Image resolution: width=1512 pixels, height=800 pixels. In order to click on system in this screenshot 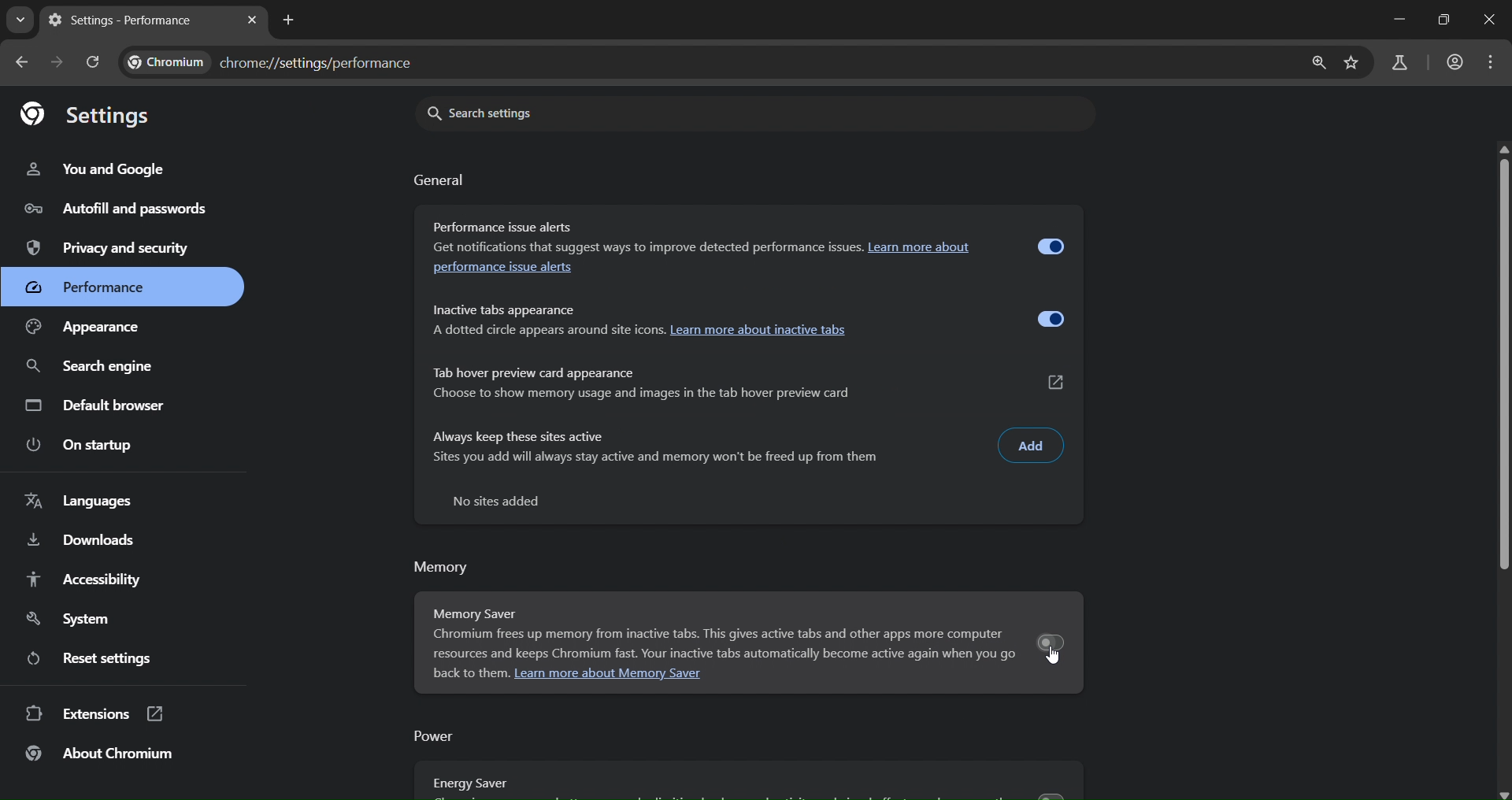, I will do `click(74, 620)`.